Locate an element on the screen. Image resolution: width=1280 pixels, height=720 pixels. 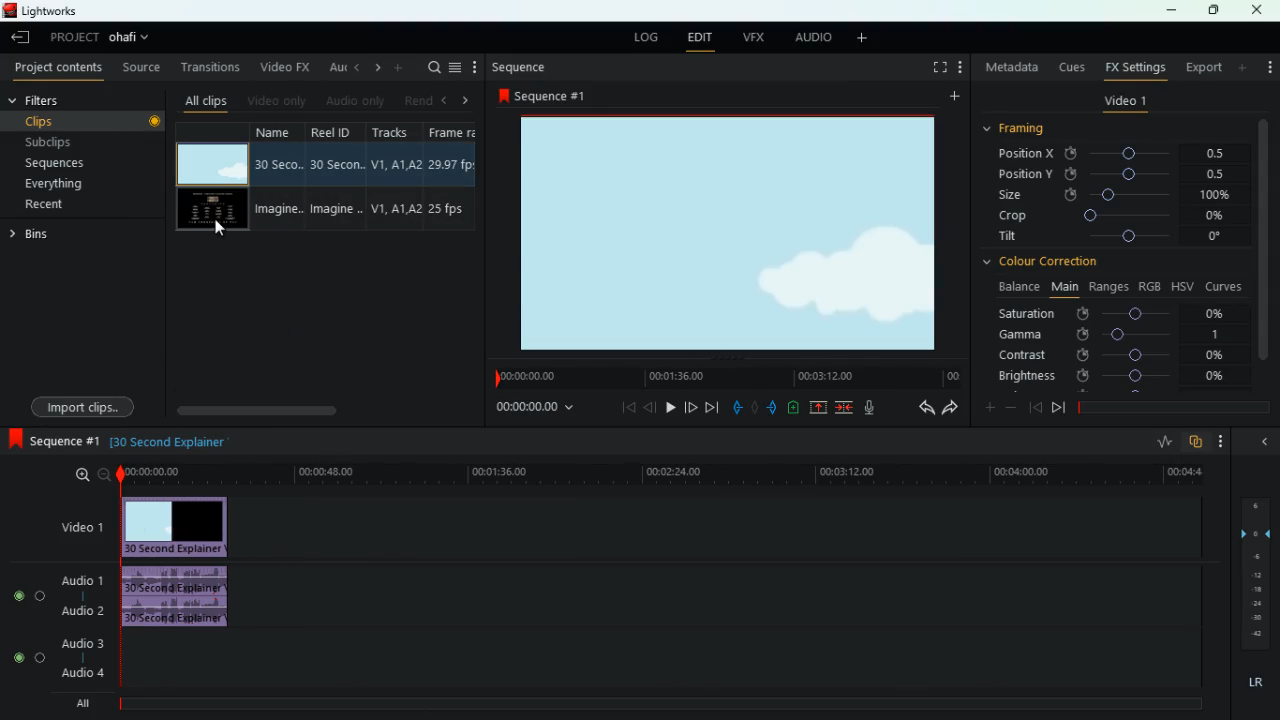
right is located at coordinates (466, 101).